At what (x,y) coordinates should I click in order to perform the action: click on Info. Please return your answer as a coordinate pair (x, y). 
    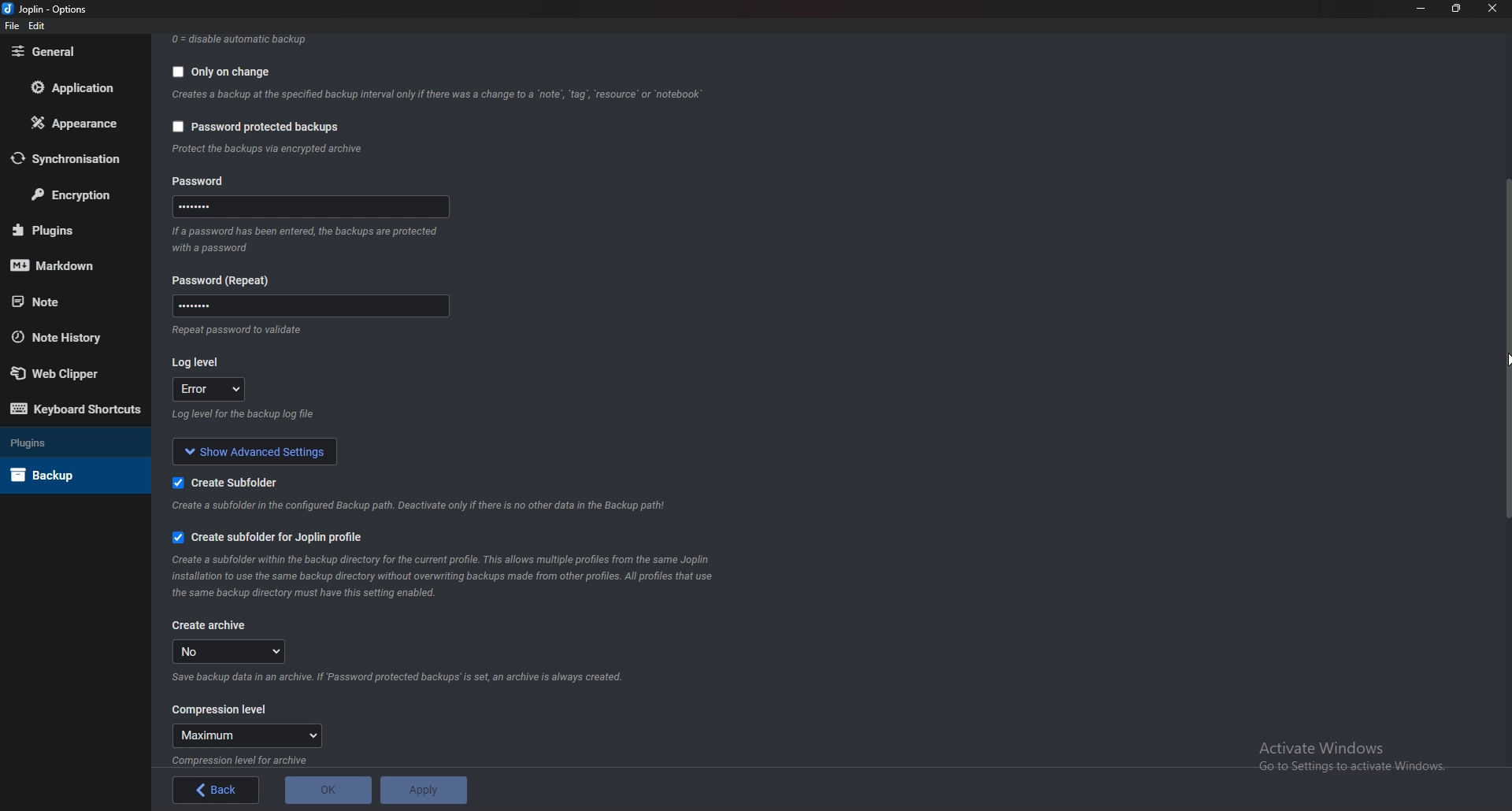
    Looking at the image, I should click on (239, 332).